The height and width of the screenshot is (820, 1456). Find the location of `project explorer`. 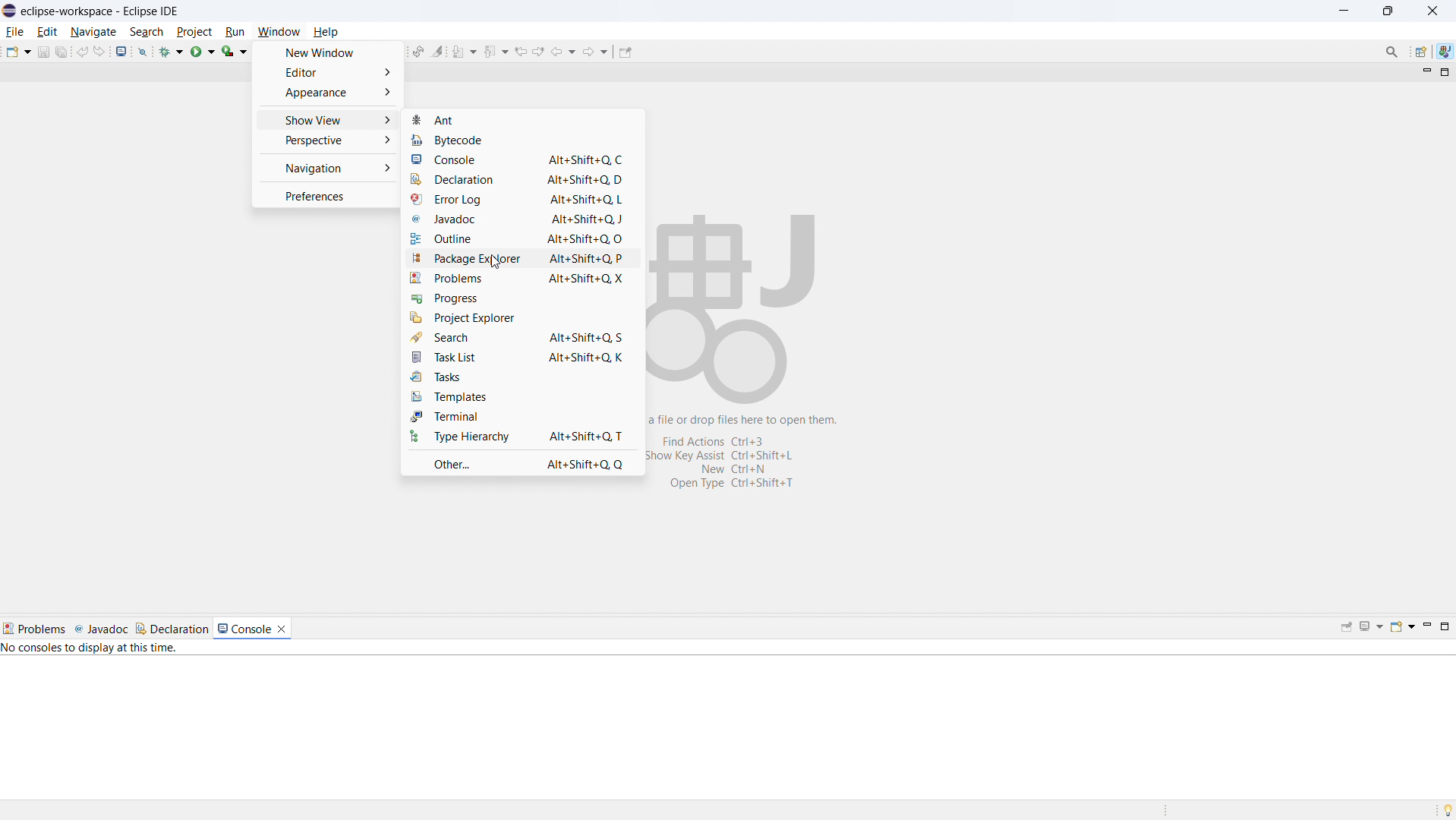

project explorer is located at coordinates (521, 317).